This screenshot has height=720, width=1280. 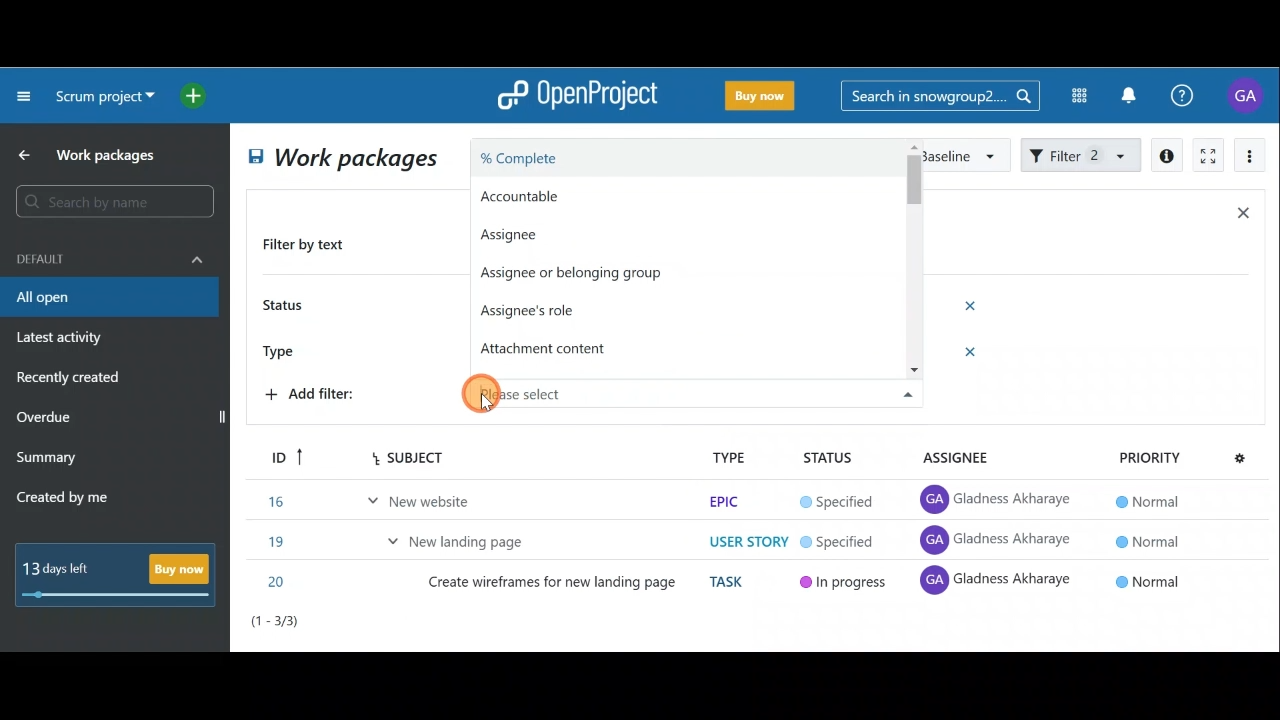 I want to click on Modules, so click(x=1073, y=96).